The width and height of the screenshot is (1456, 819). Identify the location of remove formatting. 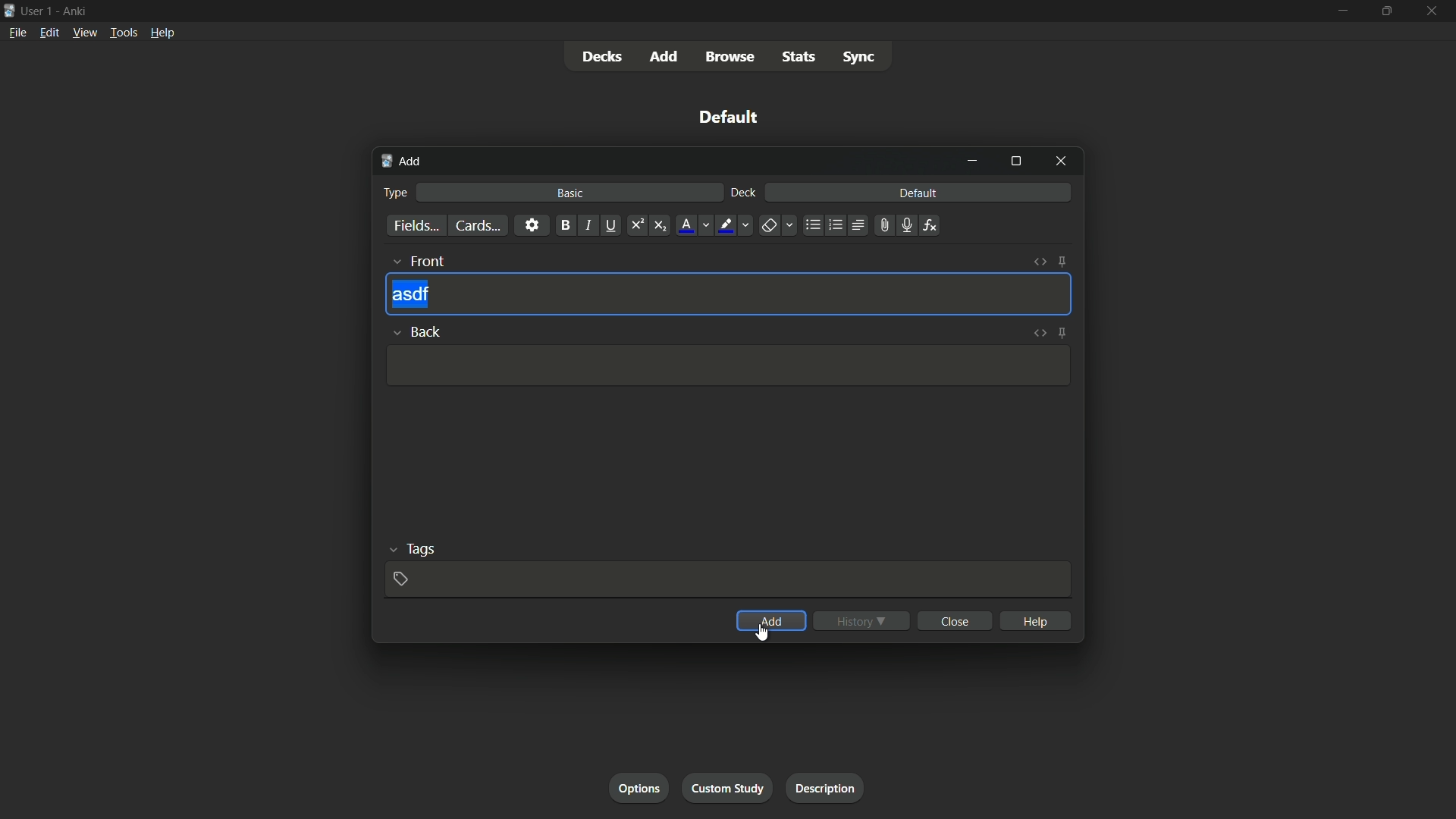
(776, 225).